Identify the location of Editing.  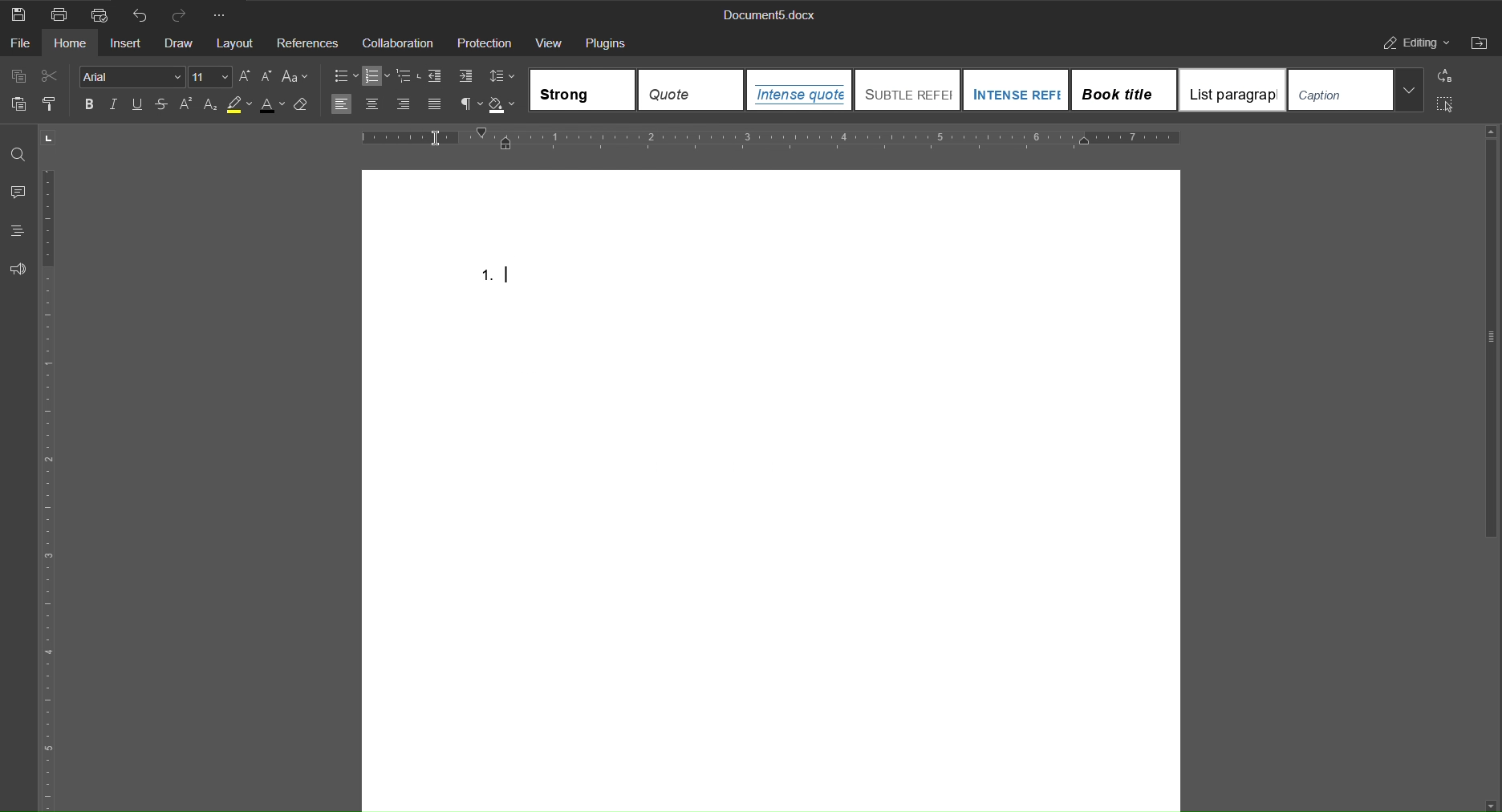
(1413, 43).